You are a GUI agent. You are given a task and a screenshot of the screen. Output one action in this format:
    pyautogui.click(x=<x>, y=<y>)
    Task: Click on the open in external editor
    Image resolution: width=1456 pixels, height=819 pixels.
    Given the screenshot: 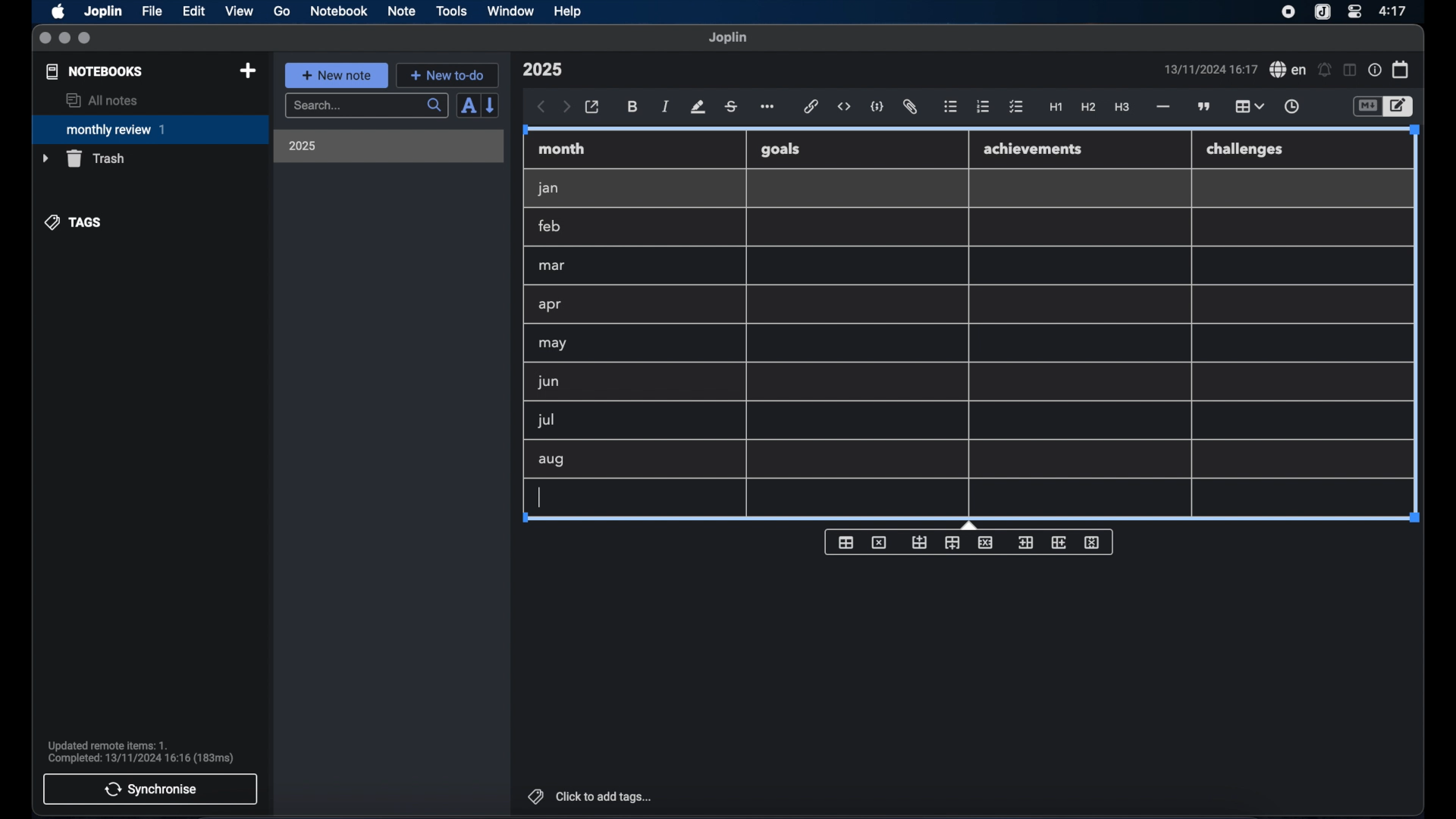 What is the action you would take?
    pyautogui.click(x=593, y=108)
    